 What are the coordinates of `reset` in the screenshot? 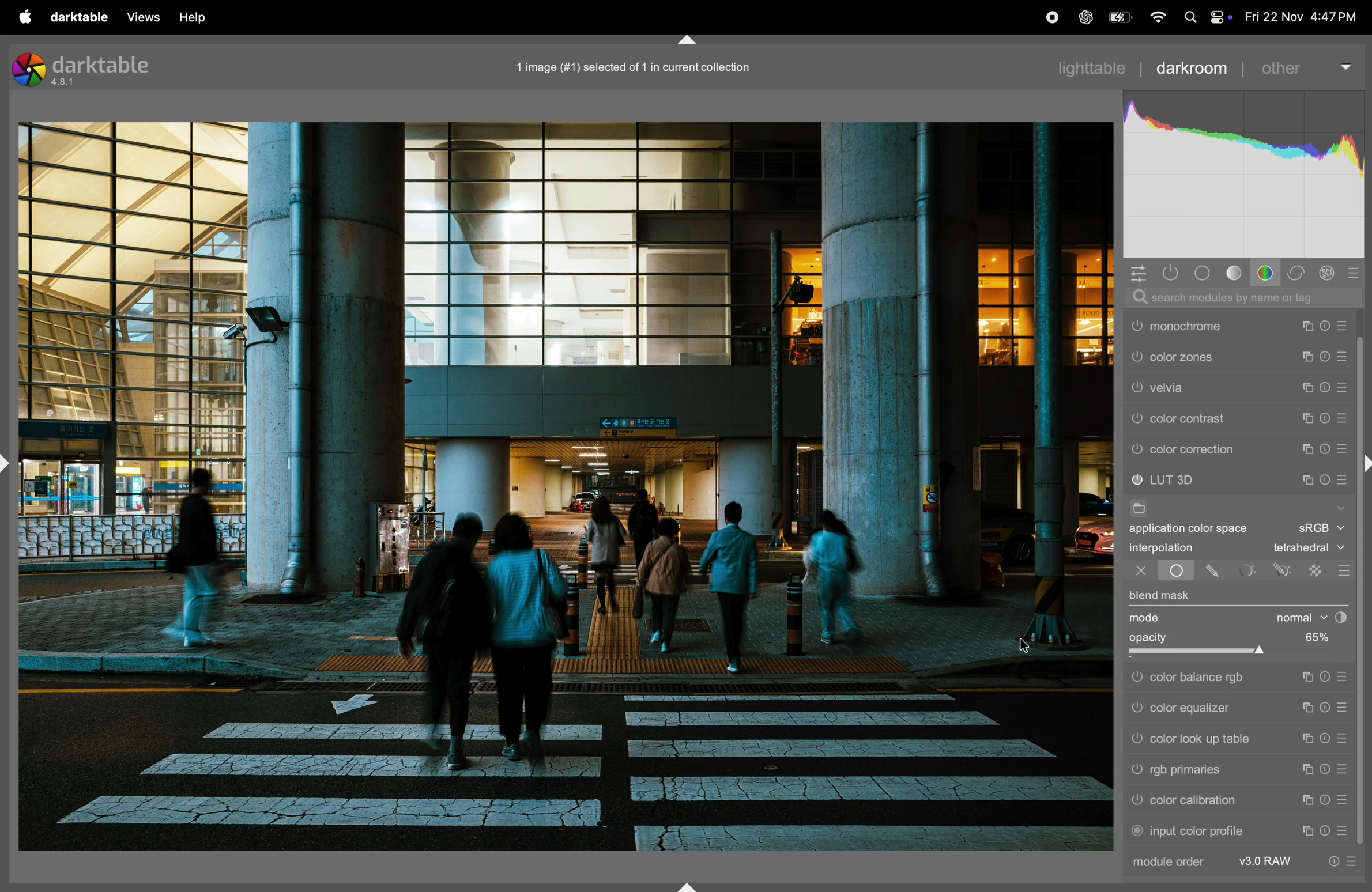 It's located at (1326, 448).